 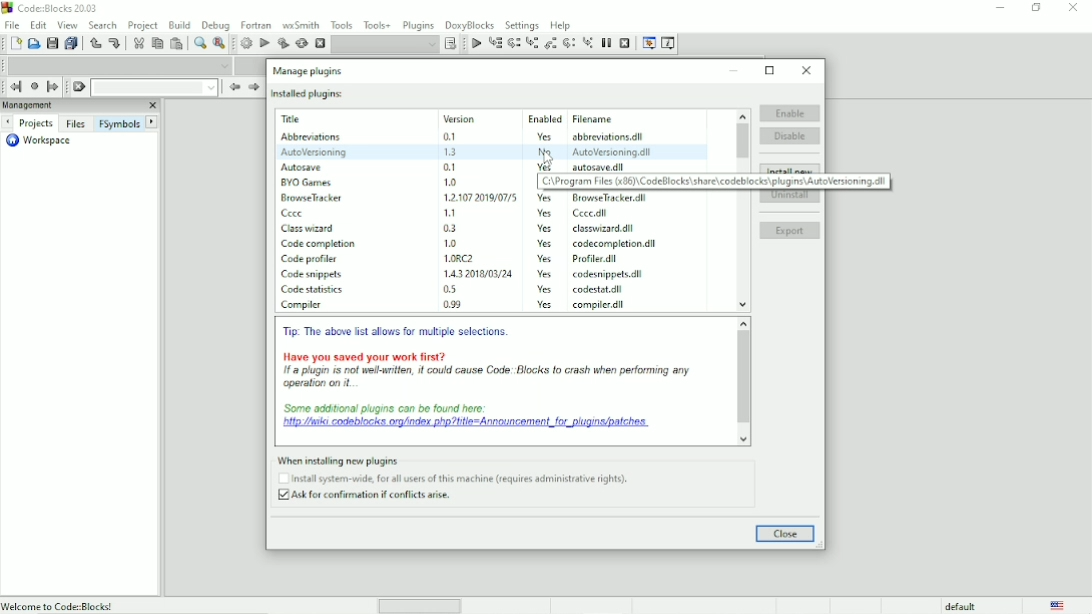 I want to click on Manage plugins, so click(x=310, y=71).